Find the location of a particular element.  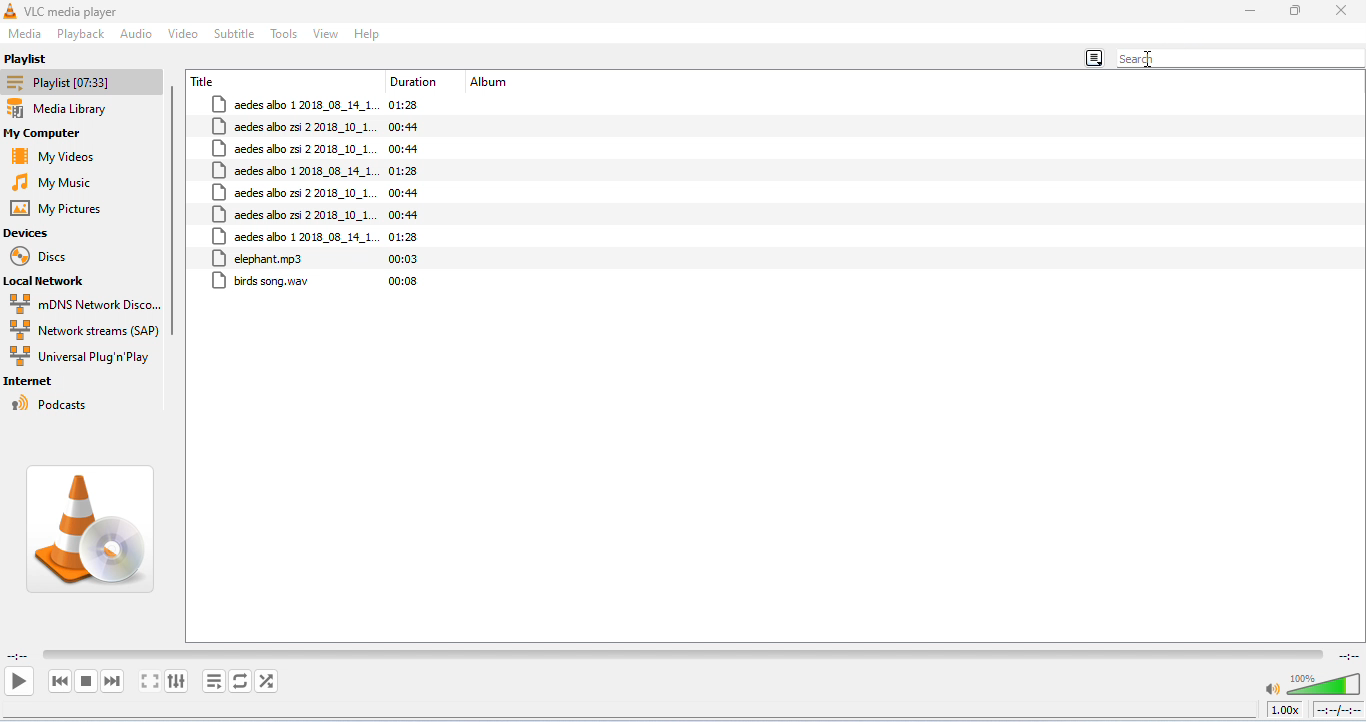

Search is located at coordinates (1241, 58).